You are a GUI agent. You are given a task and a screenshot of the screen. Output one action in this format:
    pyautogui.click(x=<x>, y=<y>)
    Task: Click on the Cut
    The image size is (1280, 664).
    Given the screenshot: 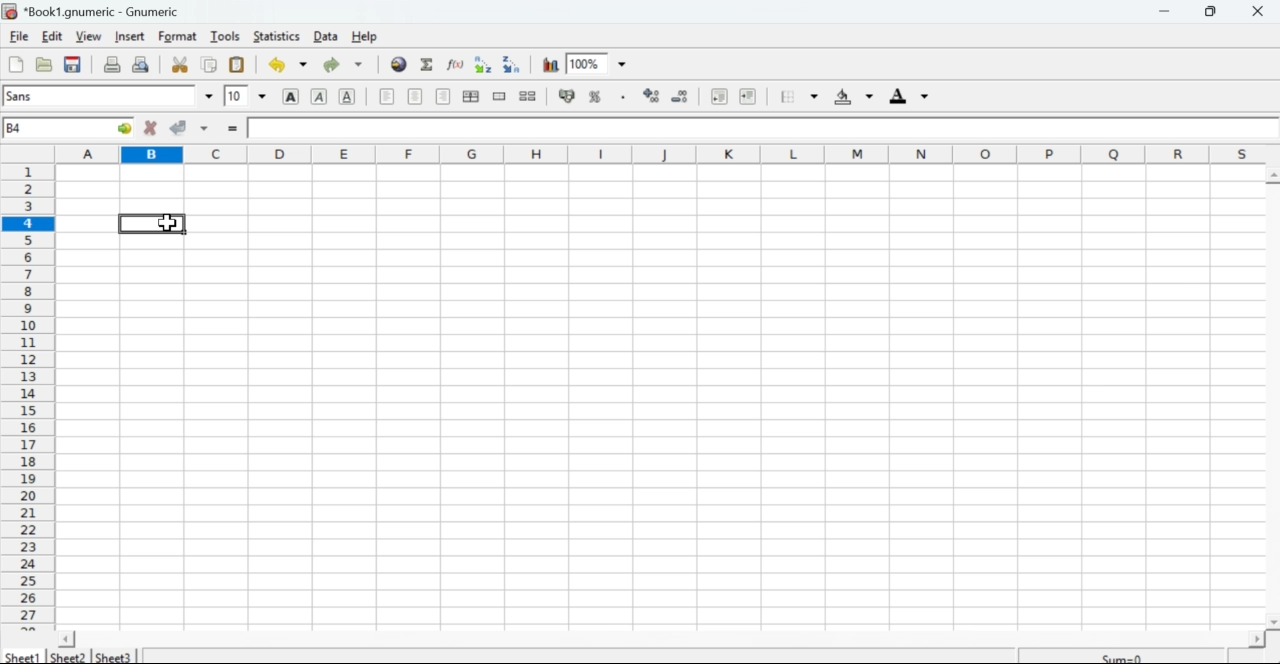 What is the action you would take?
    pyautogui.click(x=181, y=65)
    